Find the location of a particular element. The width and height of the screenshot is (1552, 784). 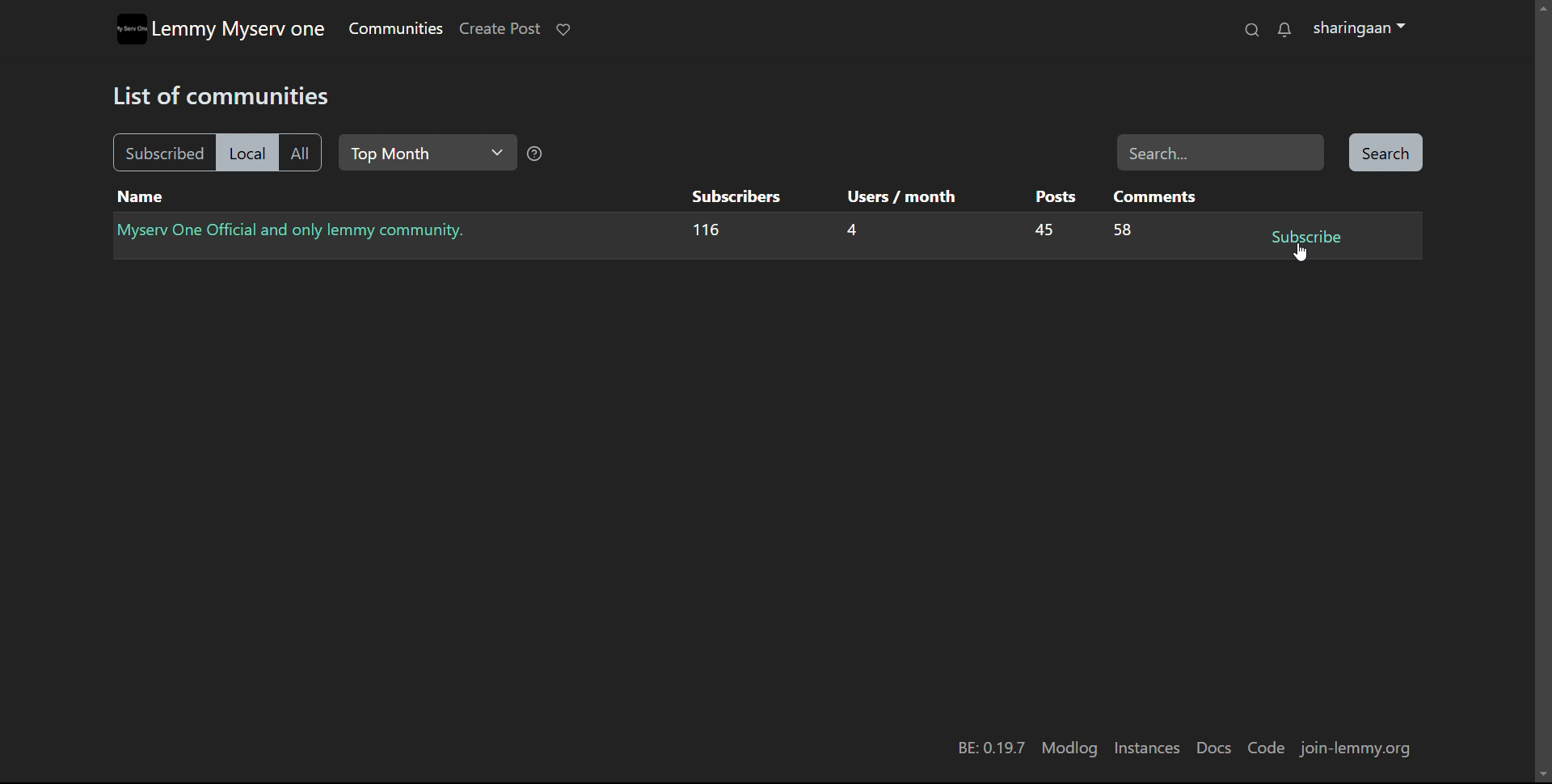

unread messages is located at coordinates (1284, 31).